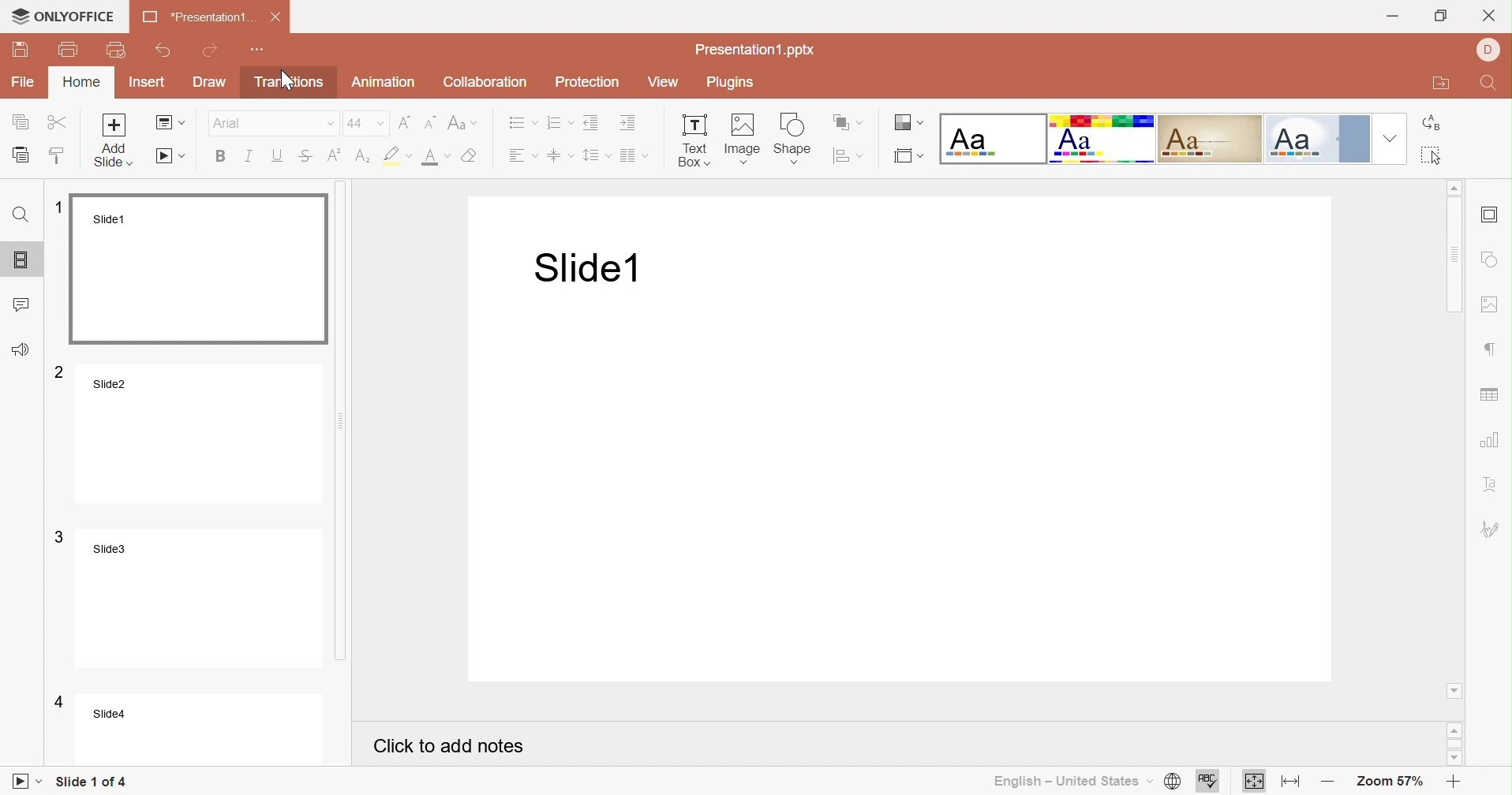 This screenshot has width=1512, height=795. What do you see at coordinates (275, 124) in the screenshot?
I see `Arial` at bounding box center [275, 124].